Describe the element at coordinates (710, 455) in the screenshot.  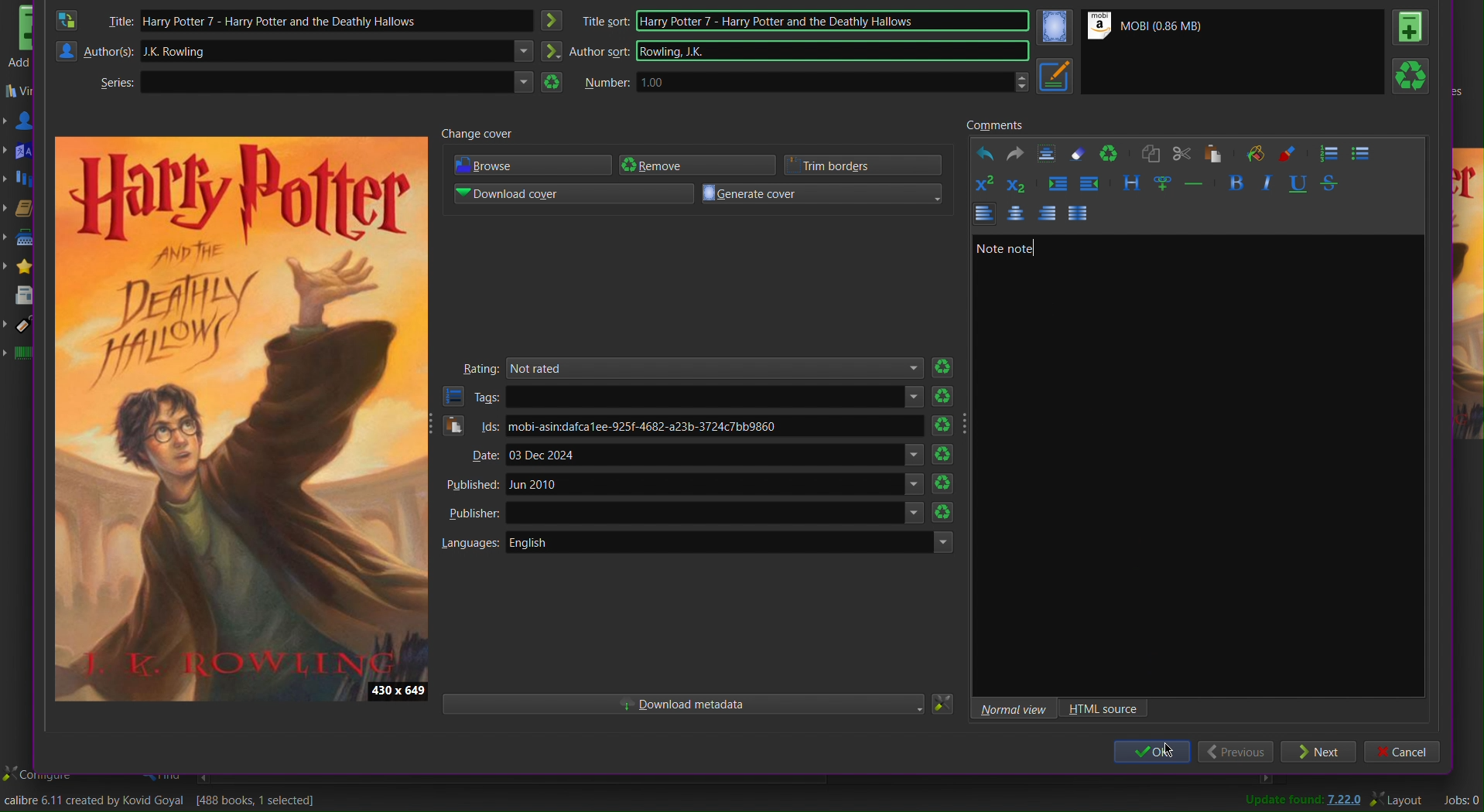
I see `03 Dec 2024` at that location.